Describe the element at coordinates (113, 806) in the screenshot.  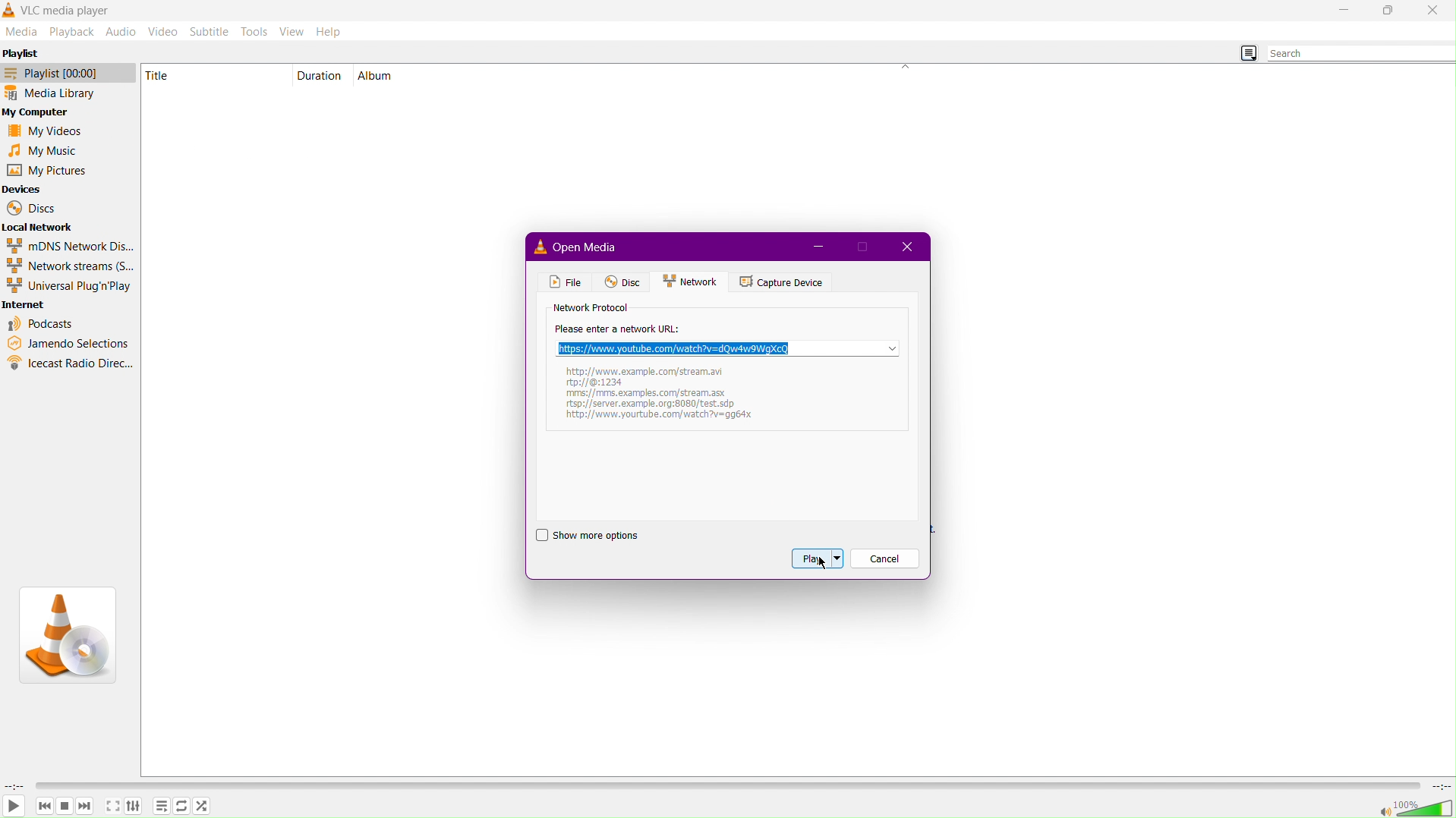
I see `Fullscreen` at that location.